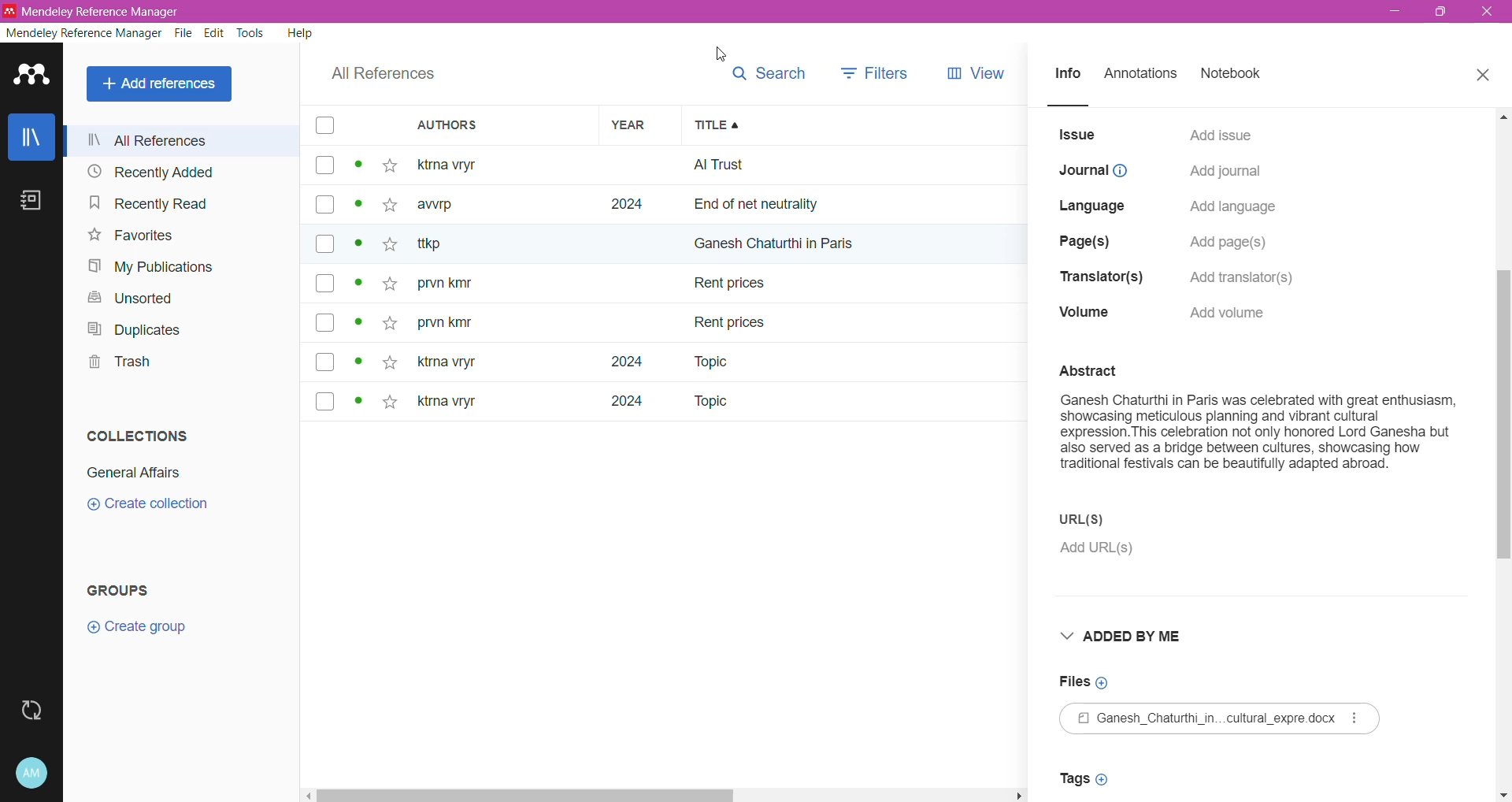 This screenshot has width=1512, height=802. Describe the element at coordinates (854, 125) in the screenshot. I see `Title` at that location.